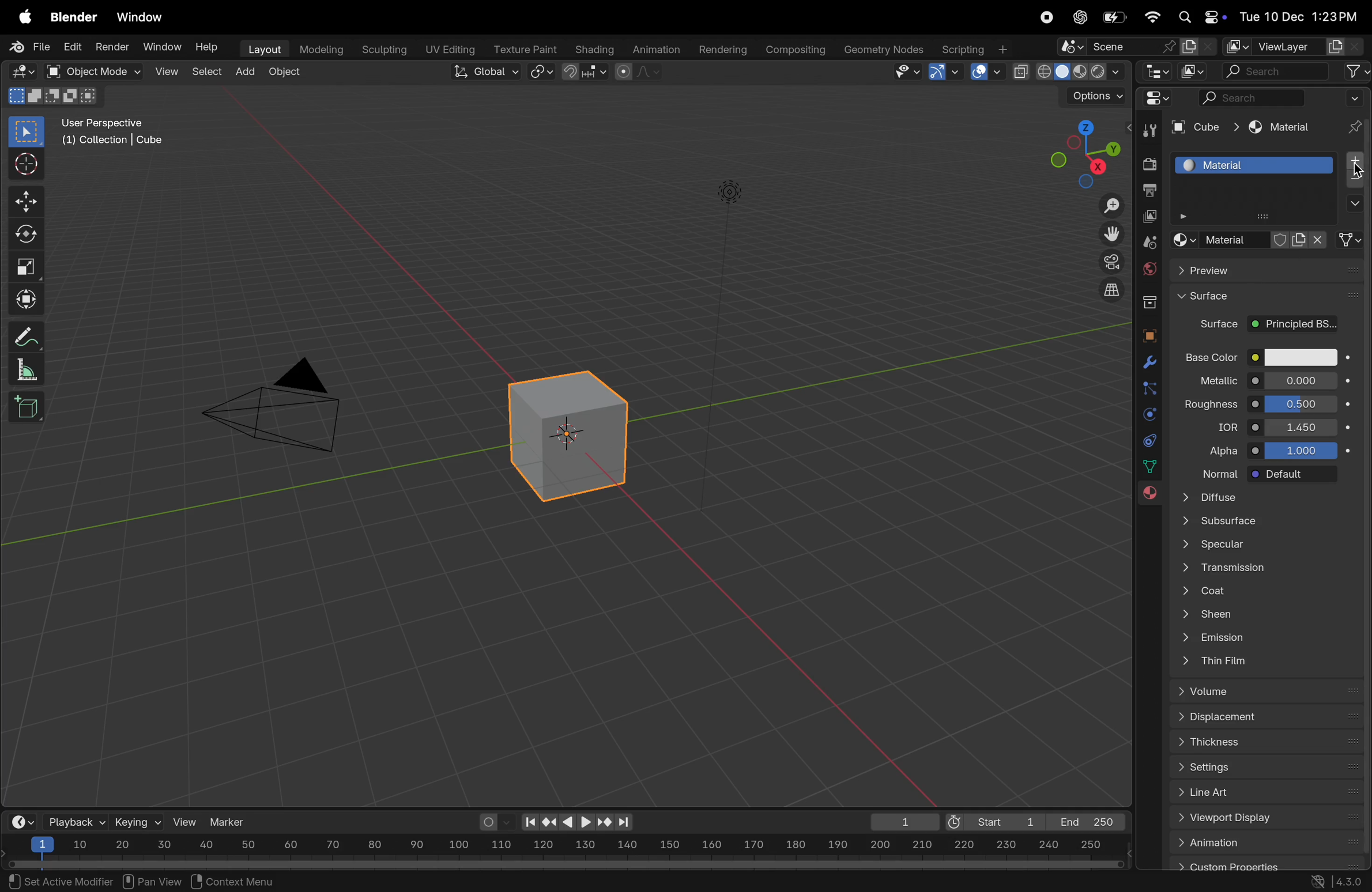 Image resolution: width=1372 pixels, height=892 pixels. What do you see at coordinates (1297, 17) in the screenshot?
I see `Tue 12 dec 1.23 pm` at bounding box center [1297, 17].